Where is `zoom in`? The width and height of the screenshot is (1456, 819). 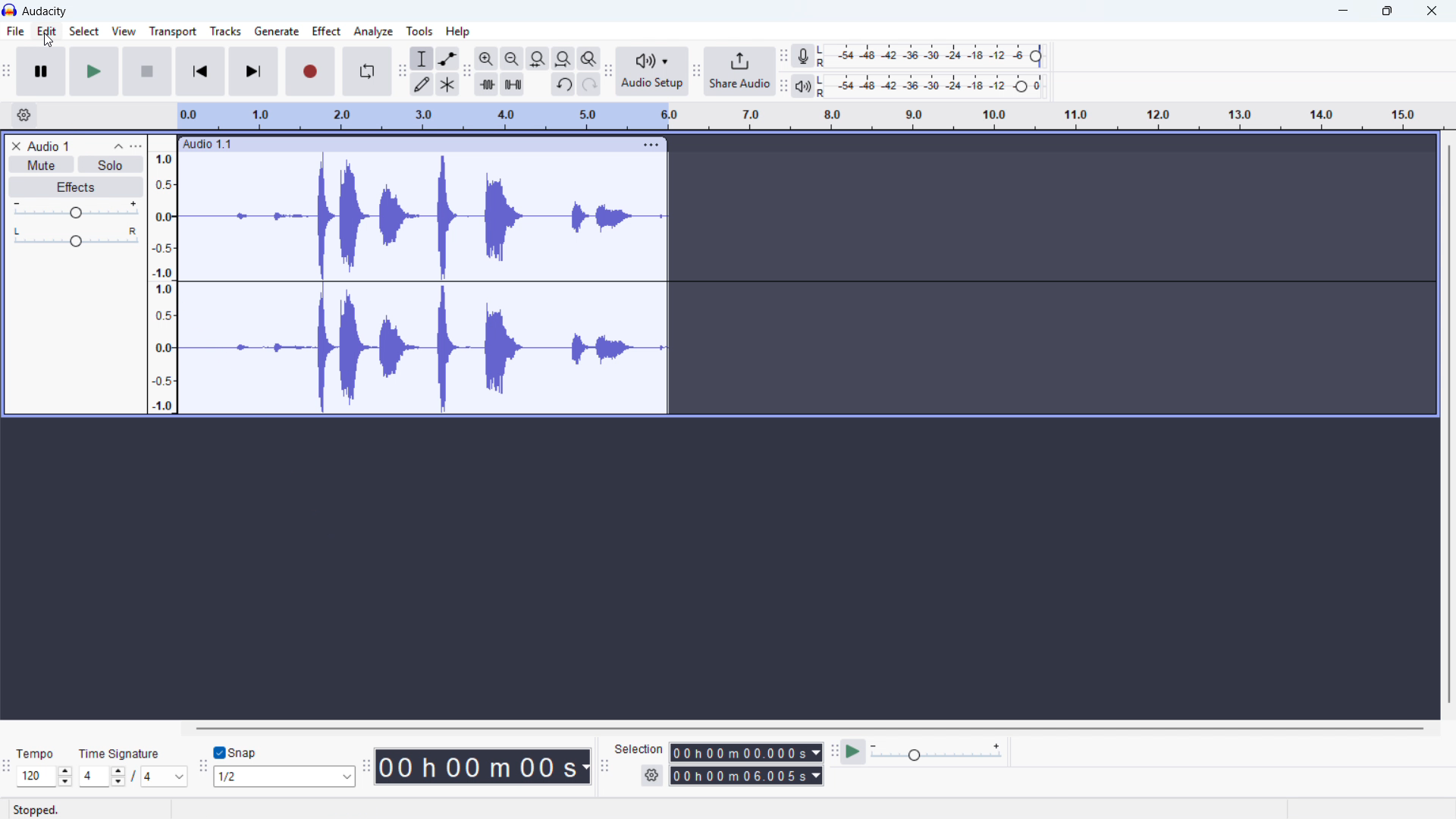 zoom in is located at coordinates (488, 59).